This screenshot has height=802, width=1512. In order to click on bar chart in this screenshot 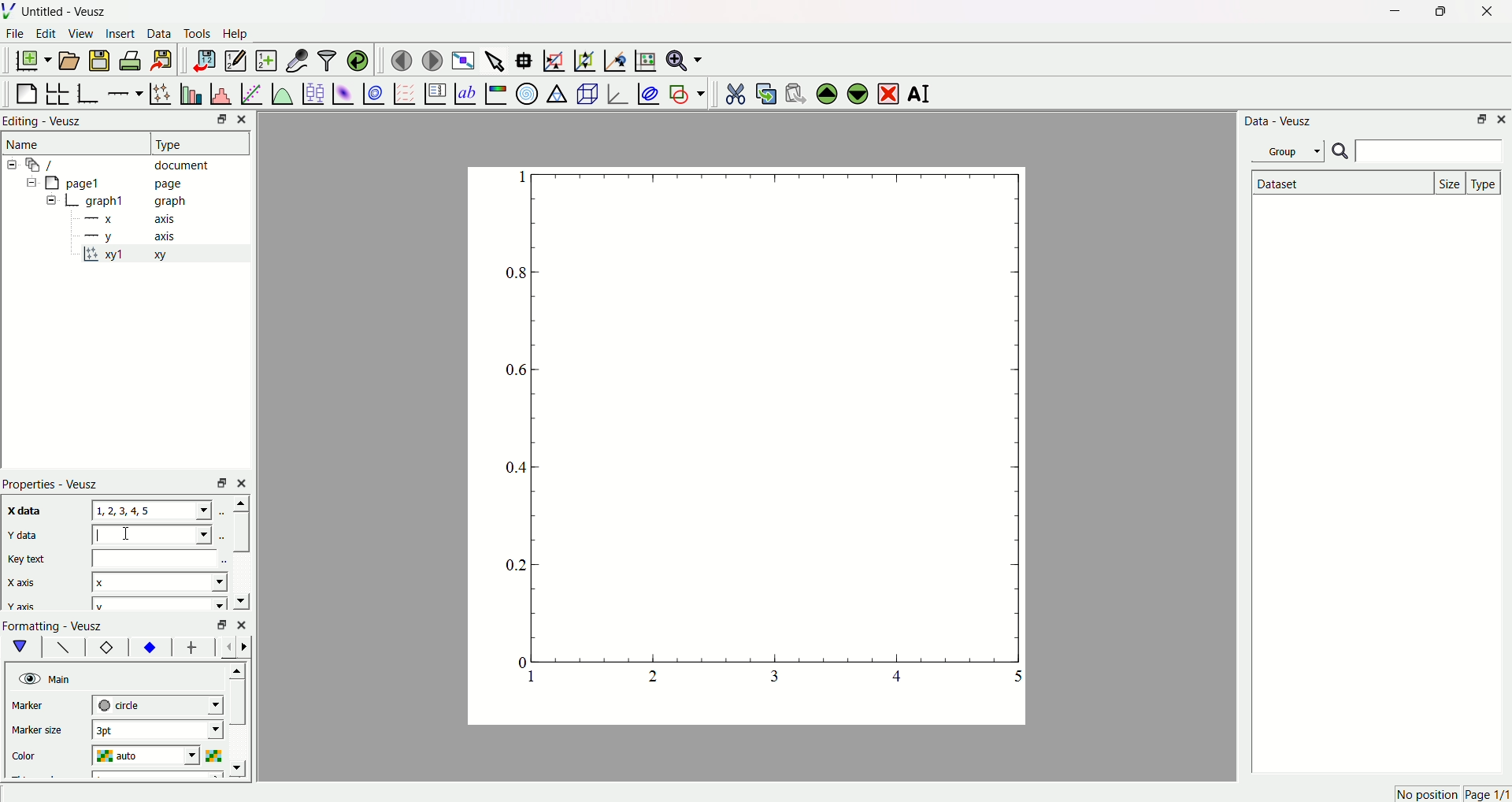, I will do `click(189, 91)`.